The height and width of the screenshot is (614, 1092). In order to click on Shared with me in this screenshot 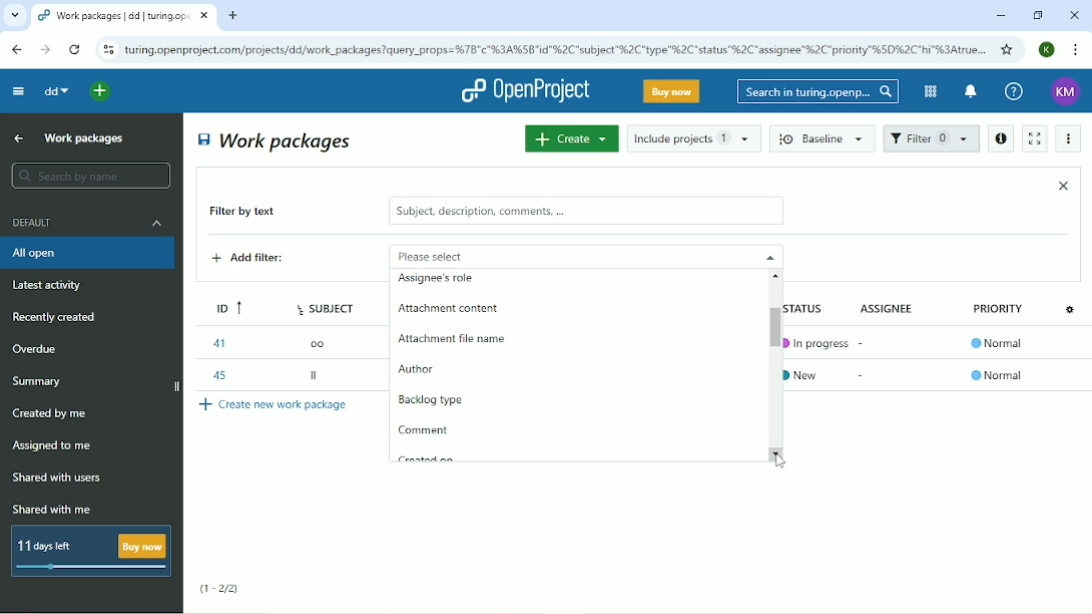, I will do `click(54, 509)`.